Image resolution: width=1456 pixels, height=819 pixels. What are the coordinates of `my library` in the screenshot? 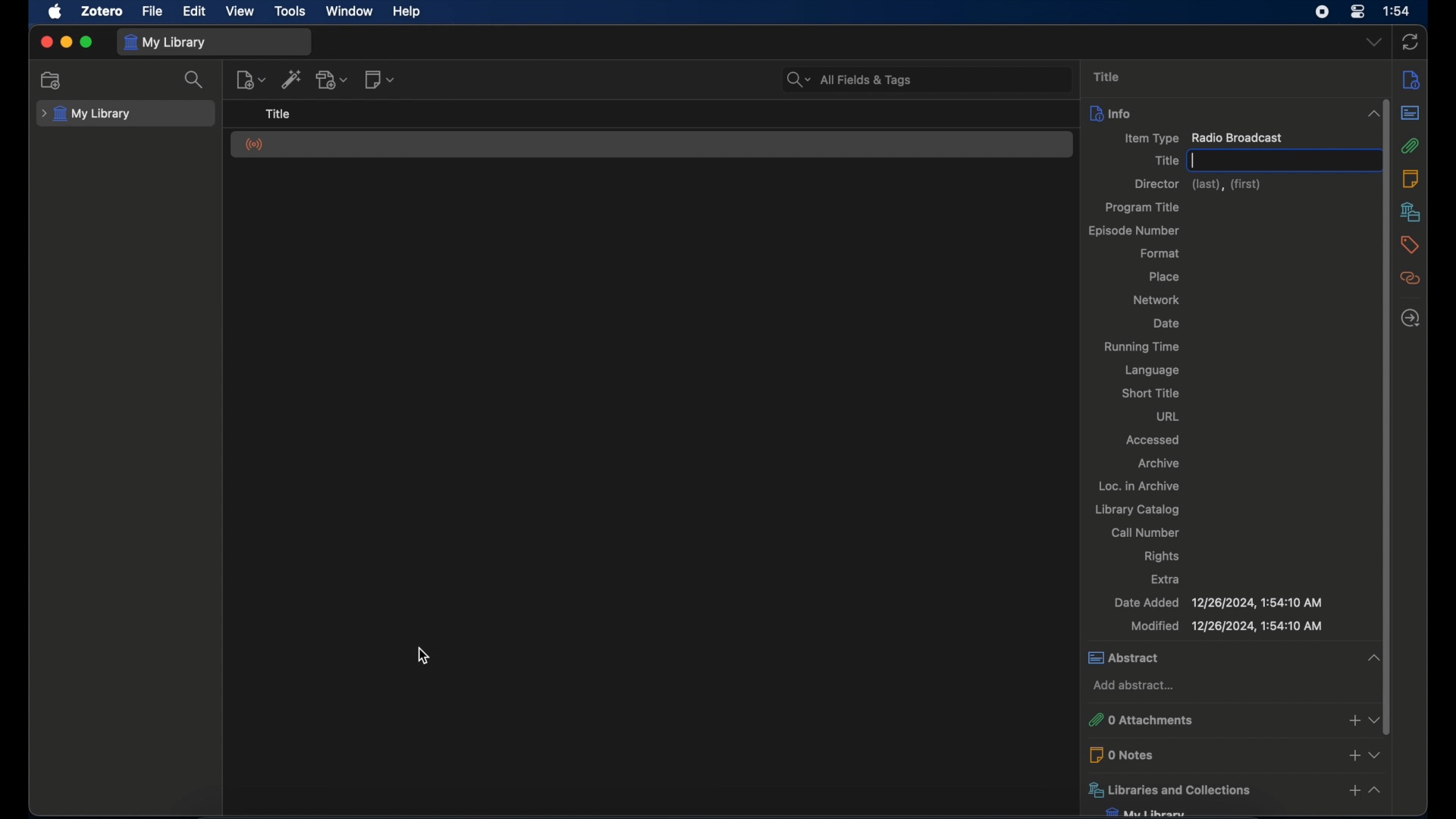 It's located at (167, 42).